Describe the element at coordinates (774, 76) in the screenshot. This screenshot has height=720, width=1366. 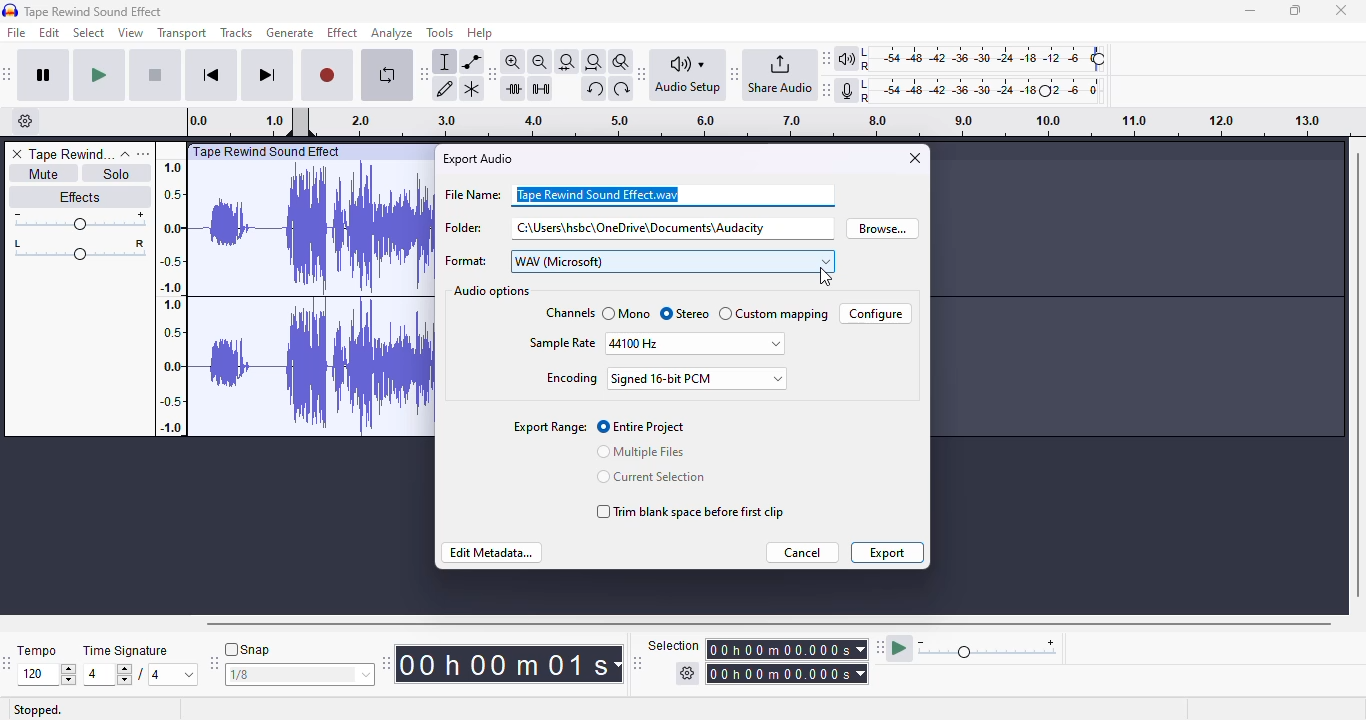
I see `audacity share audio toolbar` at that location.